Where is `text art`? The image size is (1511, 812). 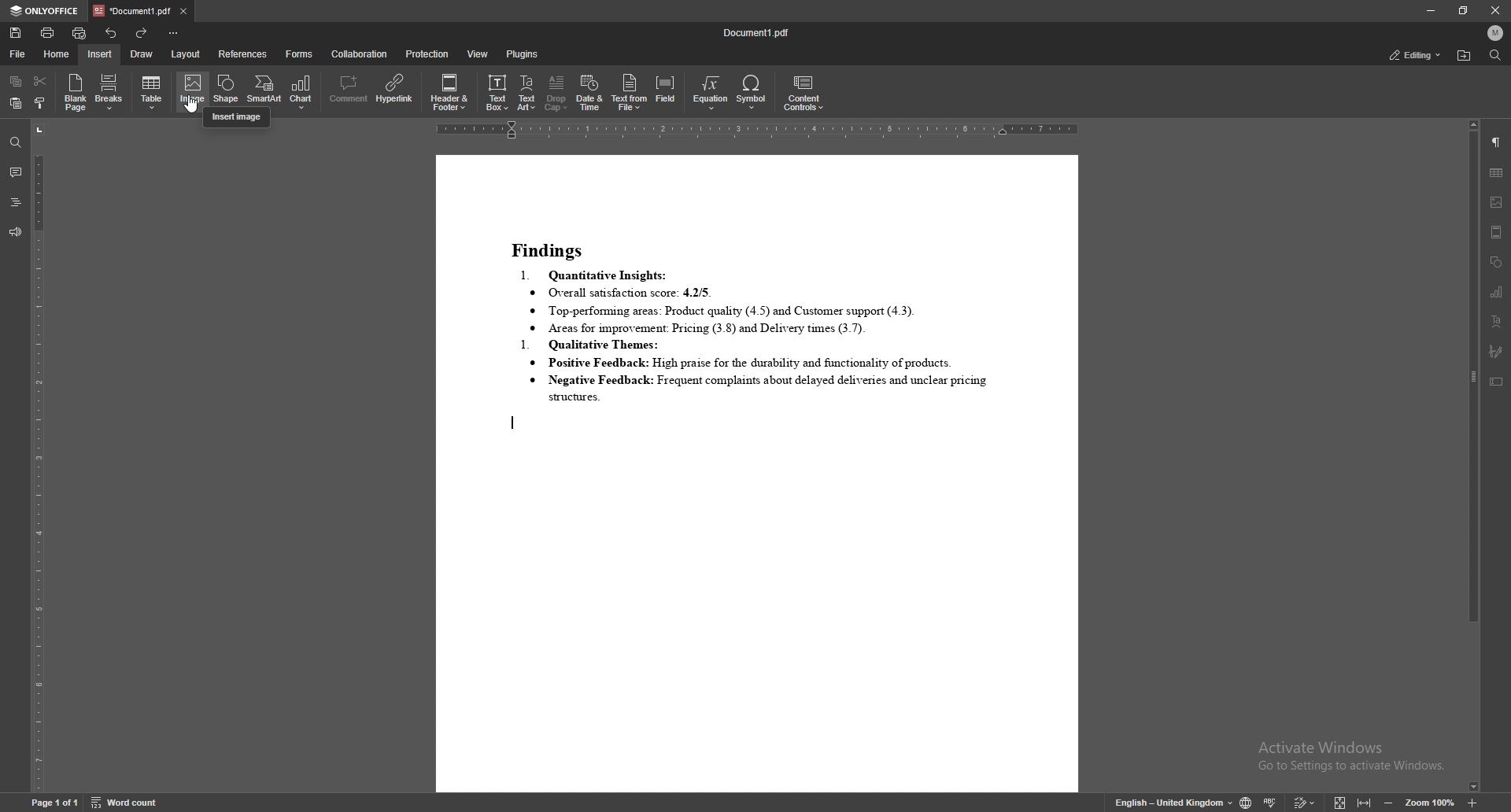
text art is located at coordinates (527, 94).